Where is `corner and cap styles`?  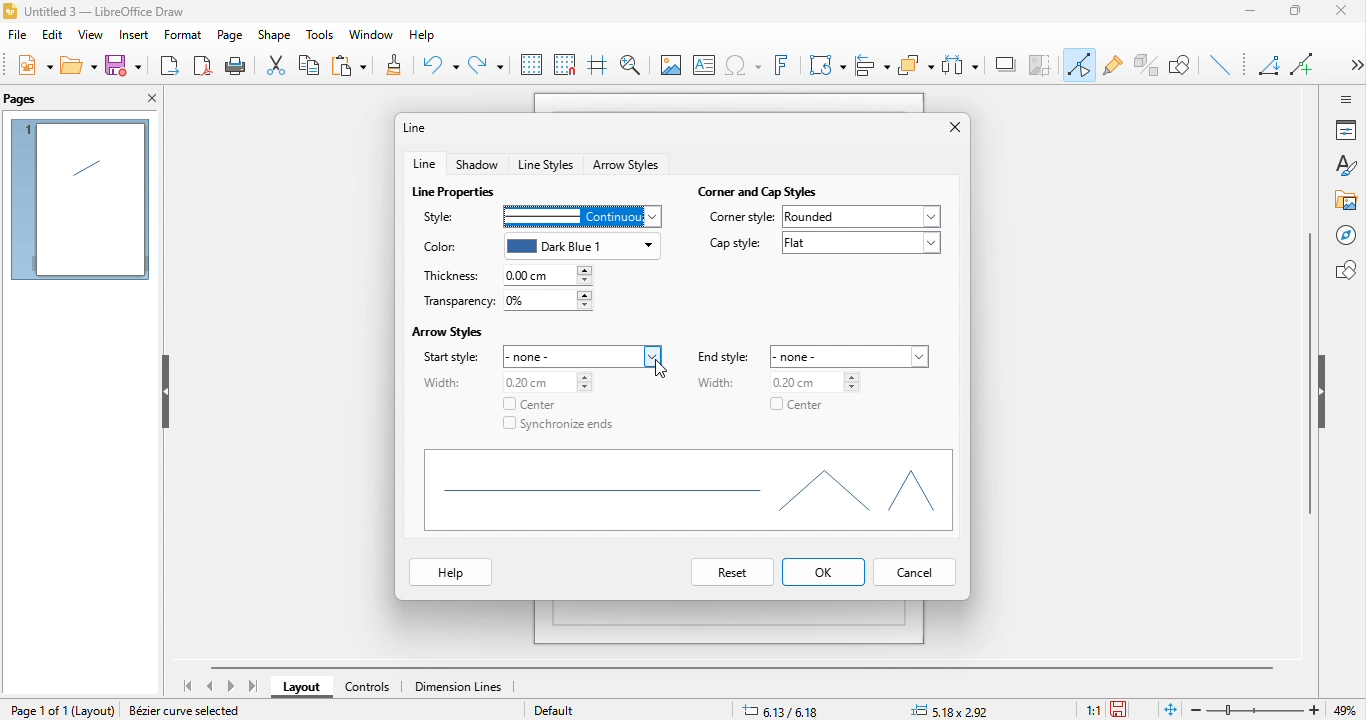
corner and cap styles is located at coordinates (761, 188).